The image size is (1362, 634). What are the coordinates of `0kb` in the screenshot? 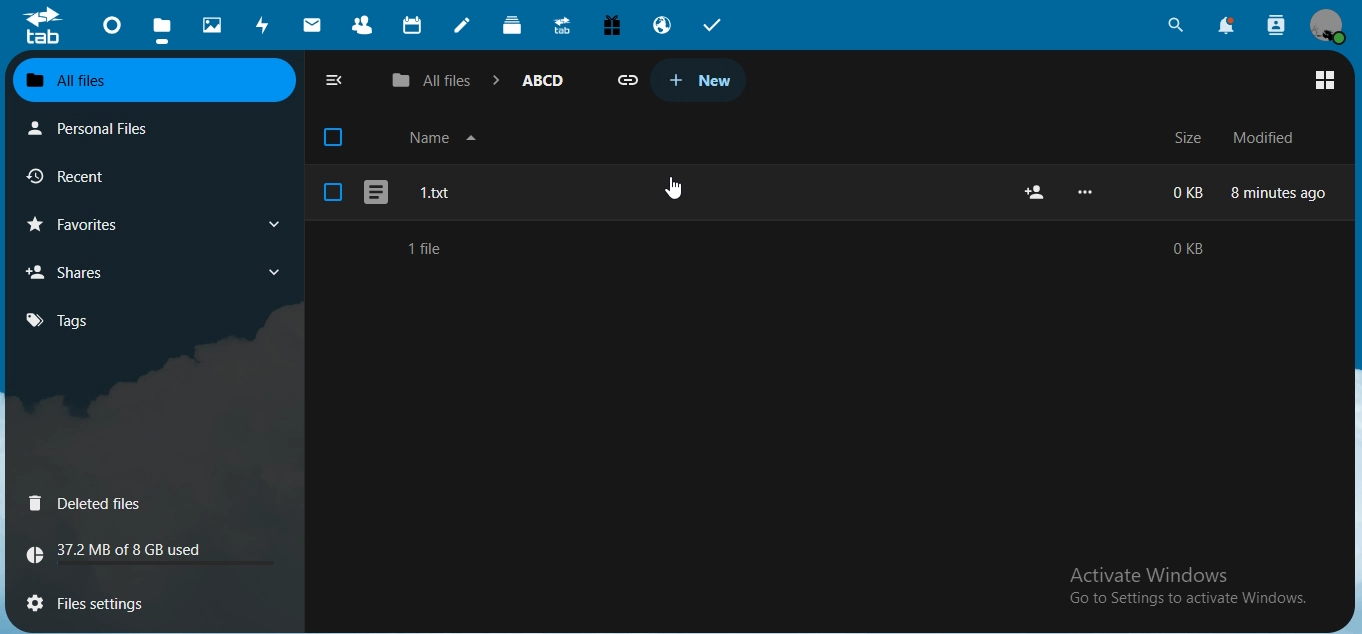 It's located at (1191, 247).